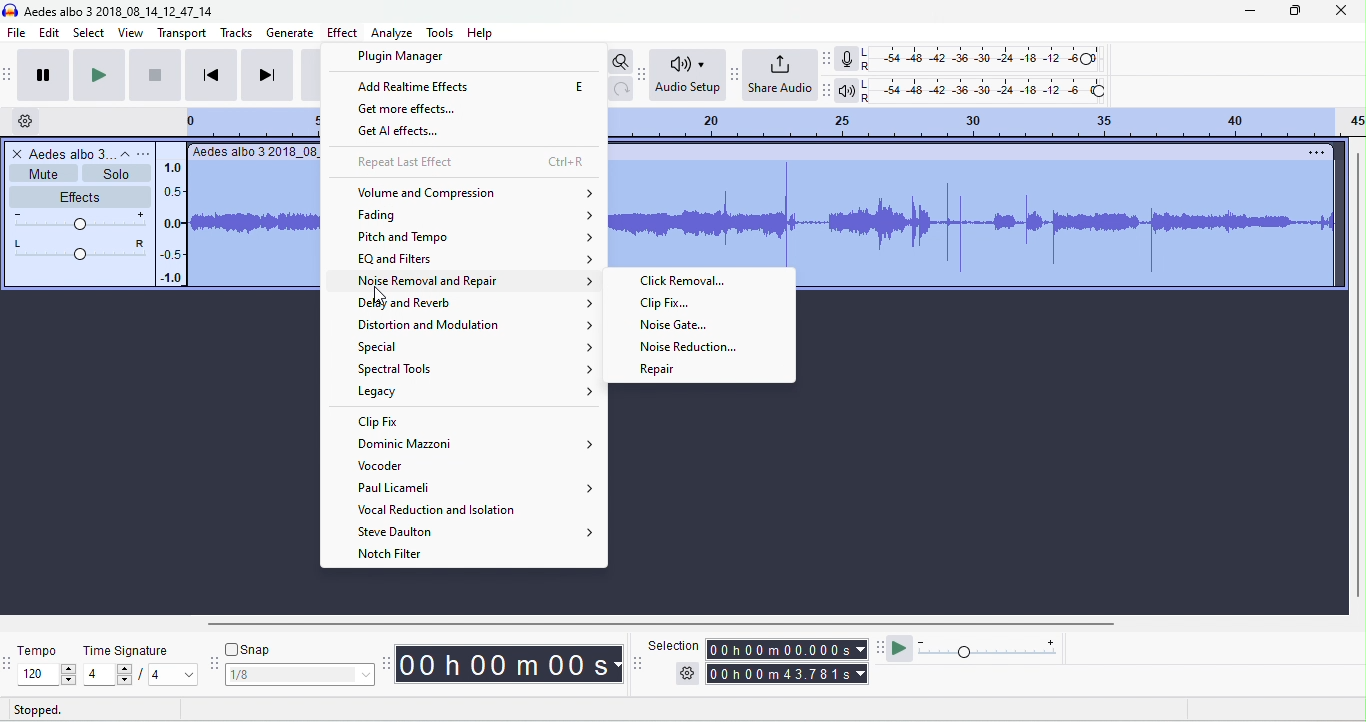 This screenshot has height=722, width=1366. I want to click on play, so click(98, 73).